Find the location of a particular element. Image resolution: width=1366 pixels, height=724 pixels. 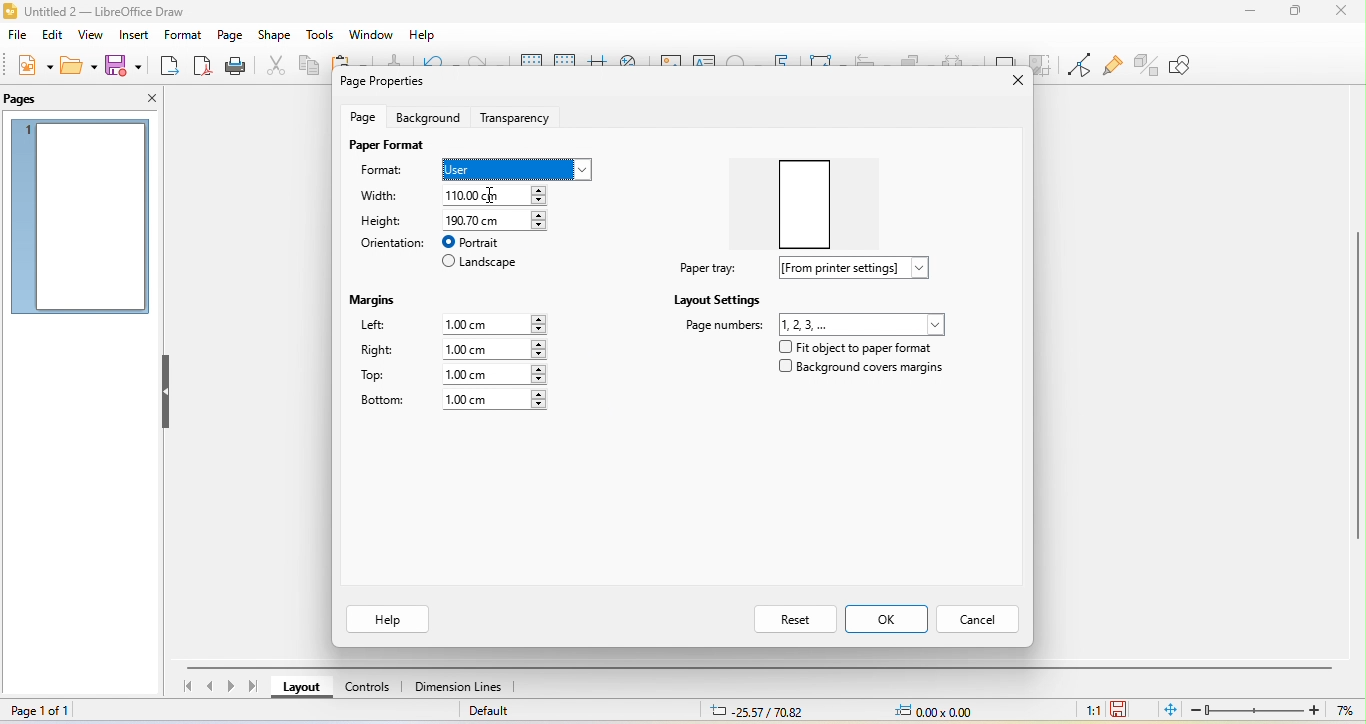

layout settings is located at coordinates (718, 299).